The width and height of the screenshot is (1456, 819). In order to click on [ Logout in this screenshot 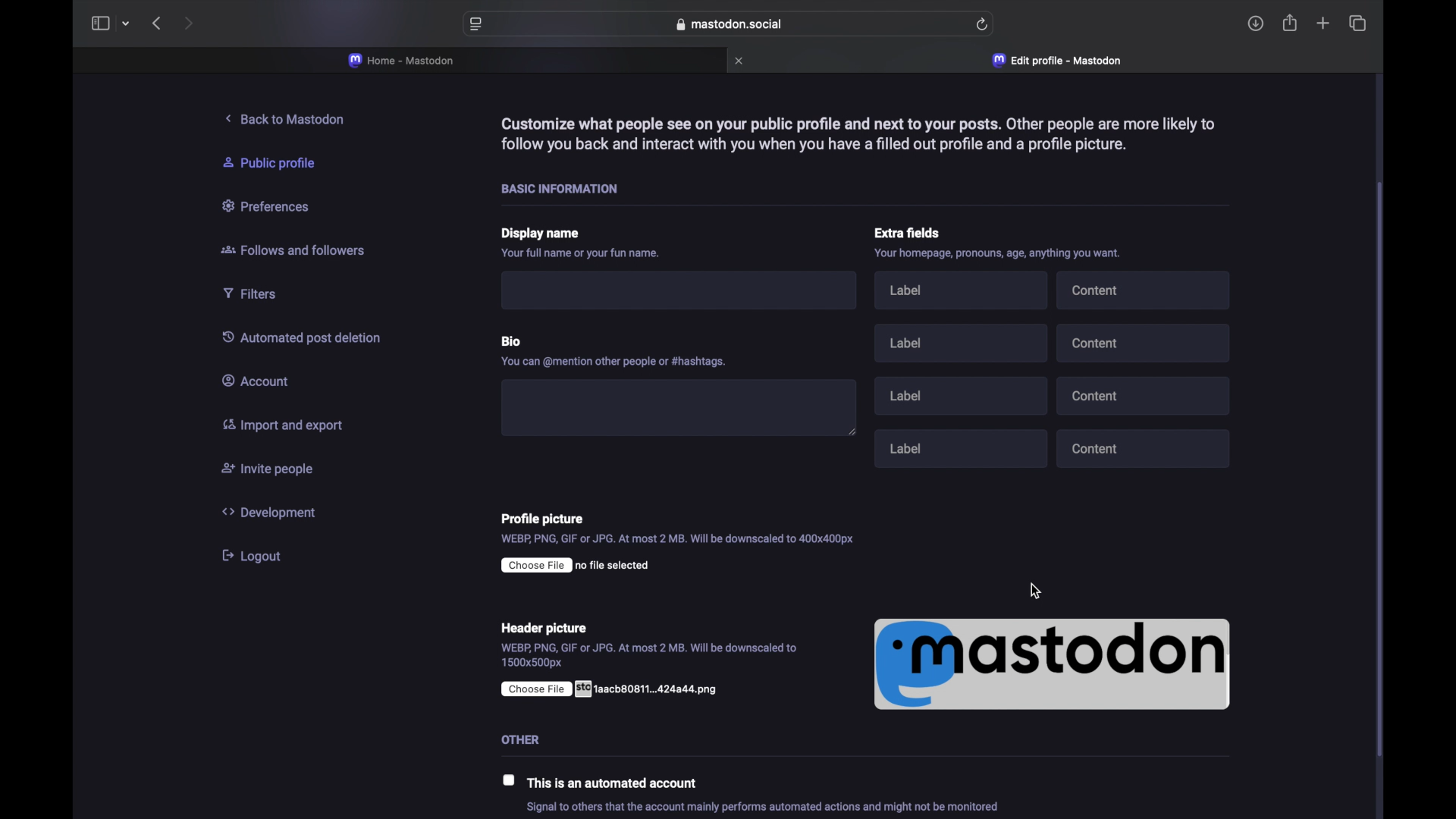, I will do `click(258, 555)`.